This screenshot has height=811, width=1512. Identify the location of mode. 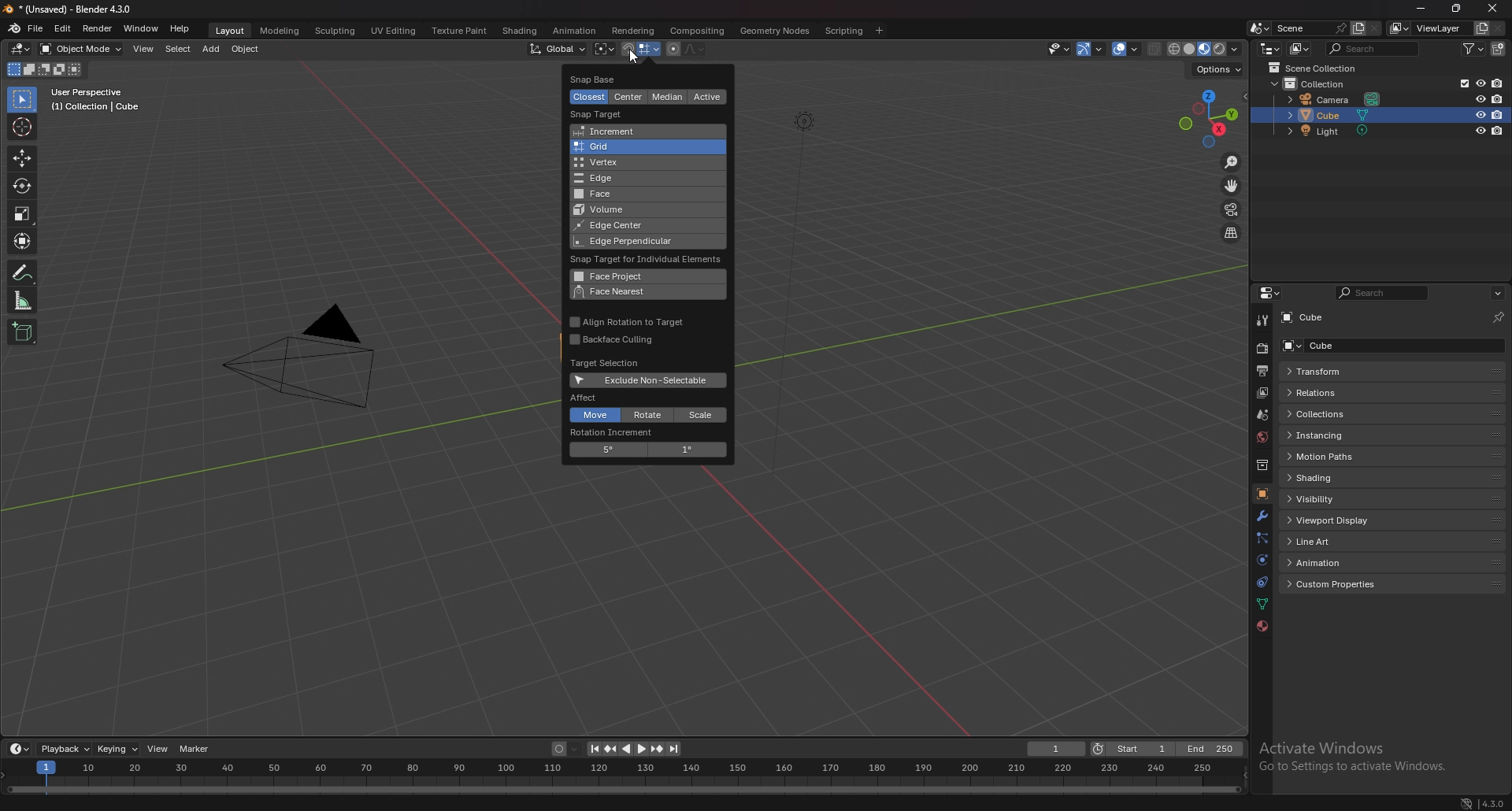
(43, 70).